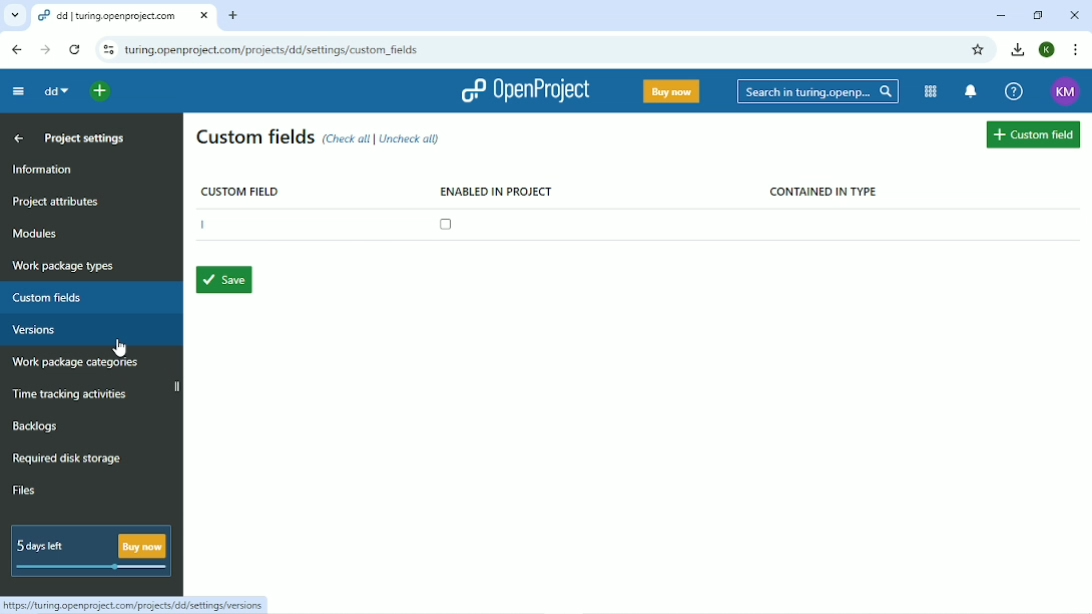  What do you see at coordinates (129, 345) in the screenshot?
I see `cursor` at bounding box center [129, 345].